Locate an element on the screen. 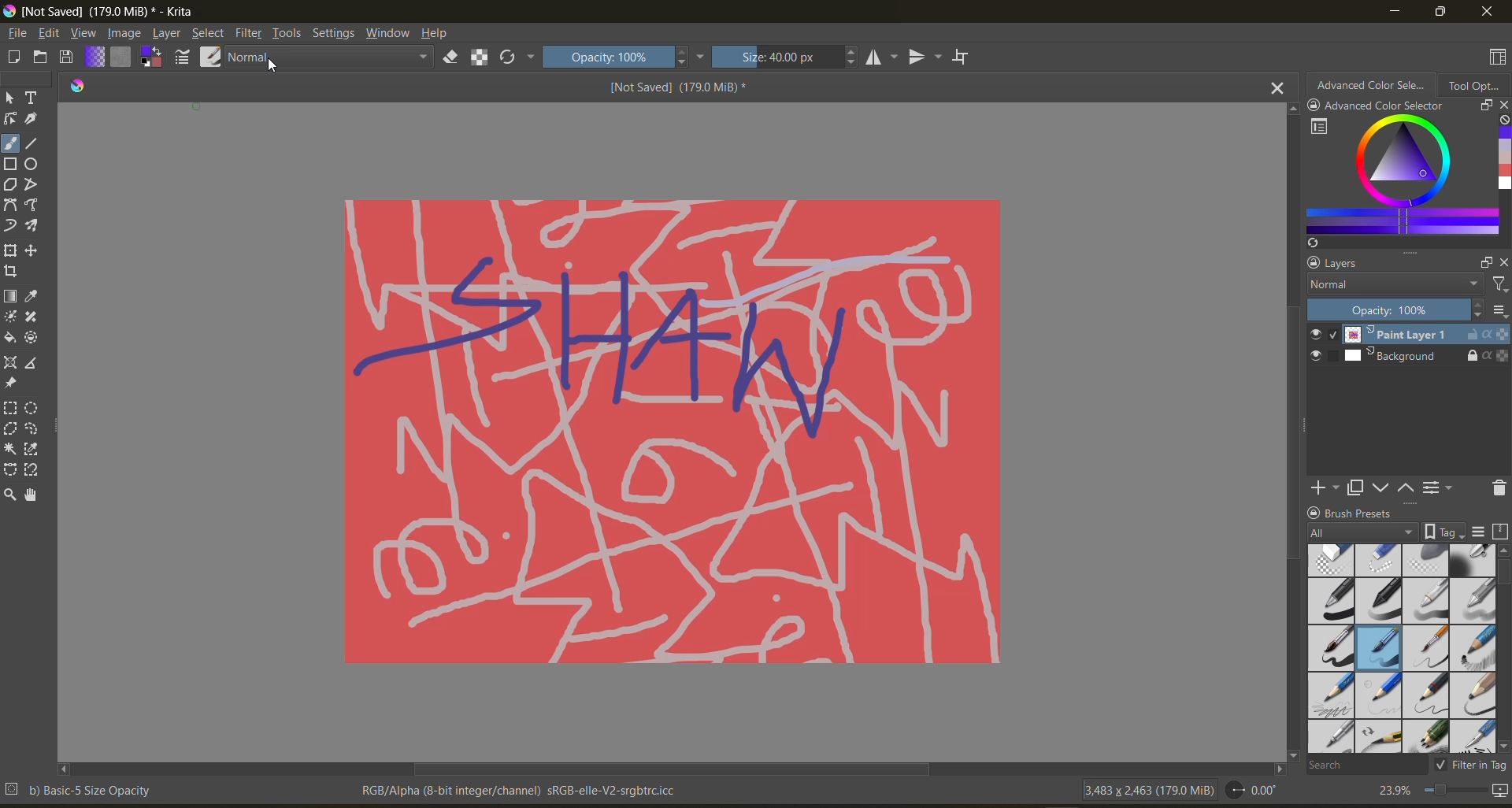 This screenshot has height=808, width=1512. Background is located at coordinates (1426, 358).